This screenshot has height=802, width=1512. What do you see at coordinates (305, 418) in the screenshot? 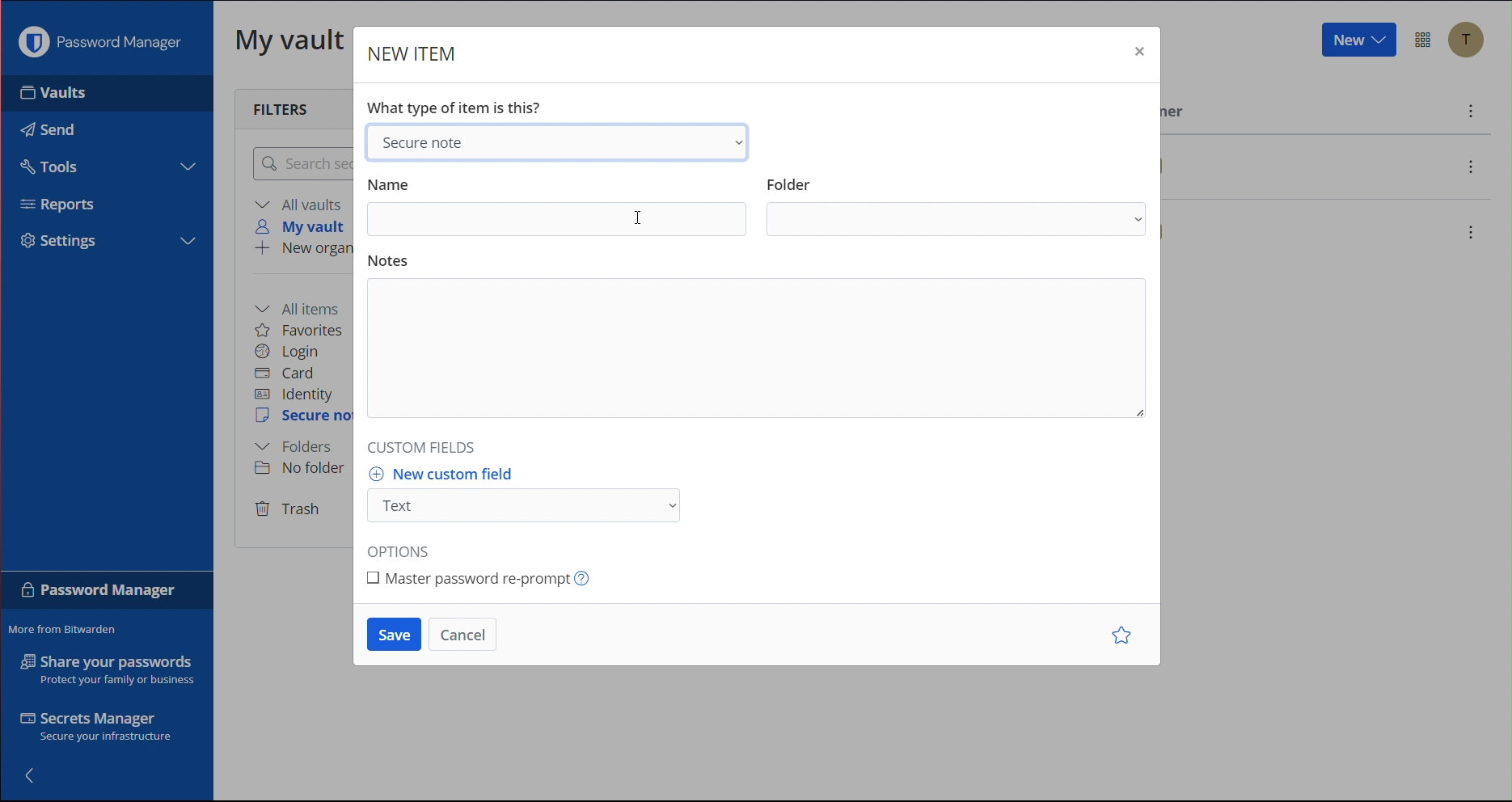
I see `Secure note` at bounding box center [305, 418].